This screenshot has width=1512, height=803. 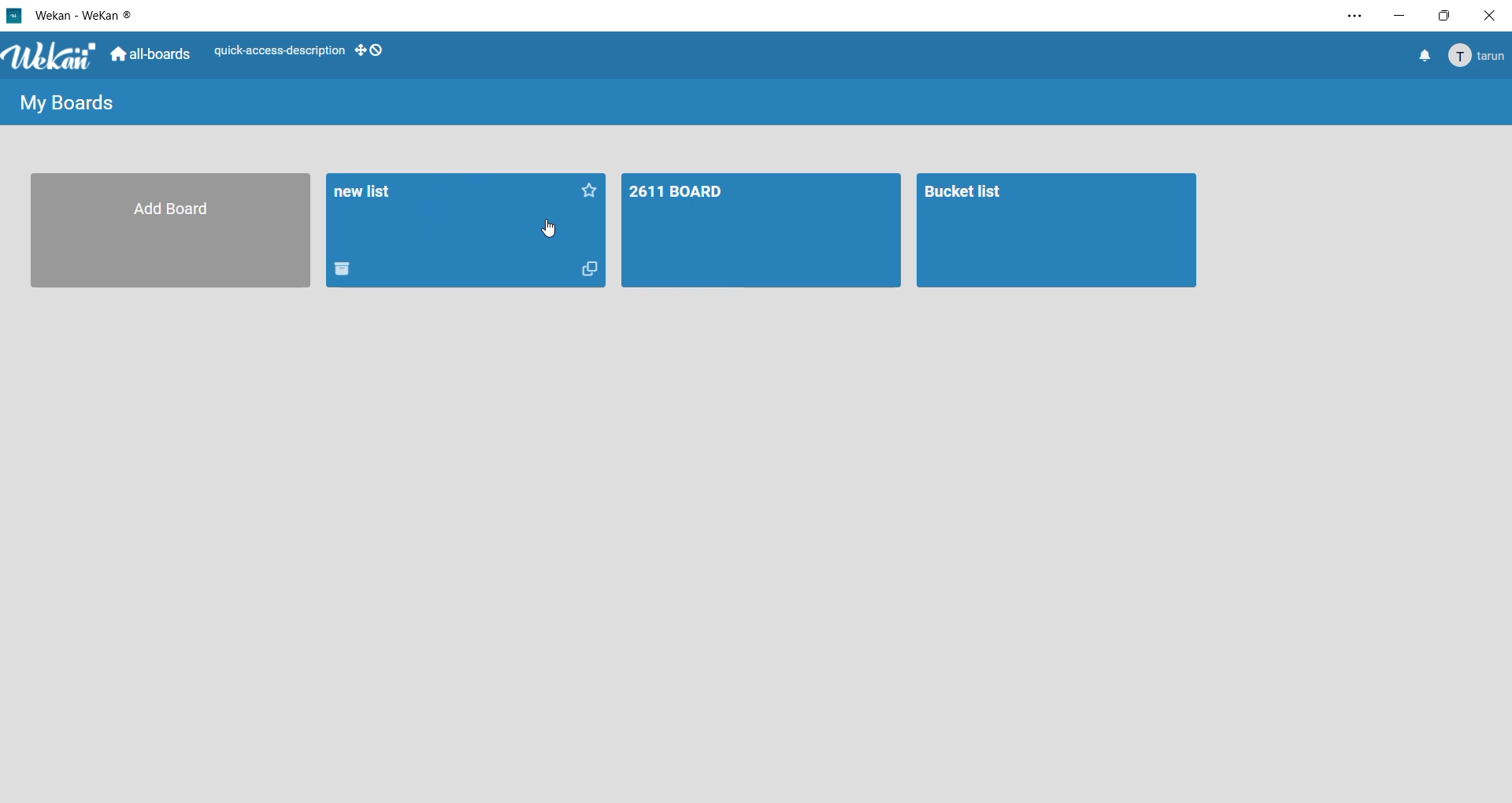 I want to click on cursor, so click(x=548, y=229).